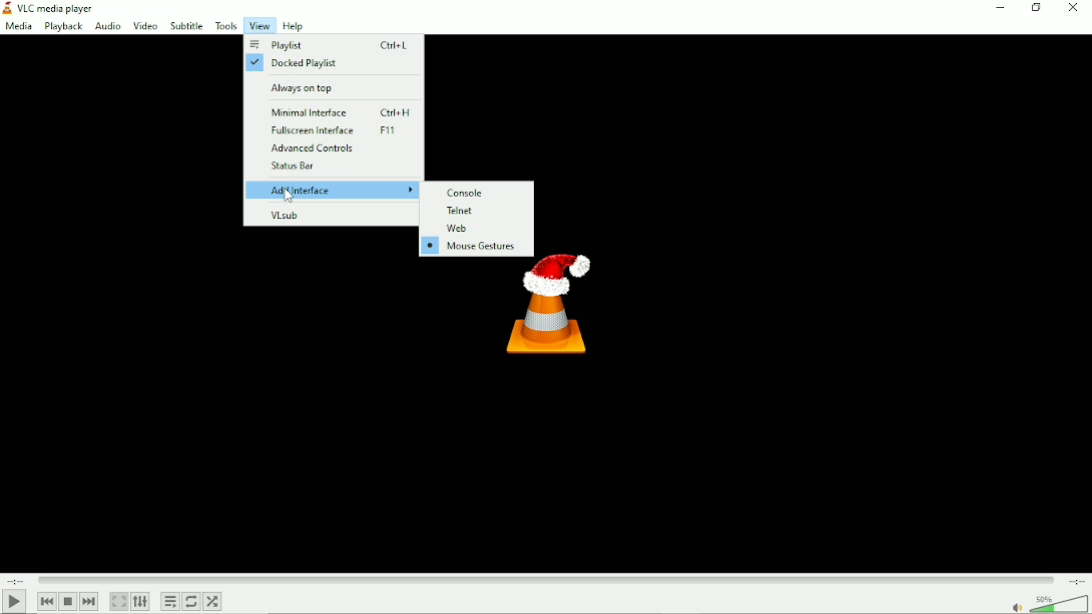  I want to click on Elapsed timw, so click(13, 580).